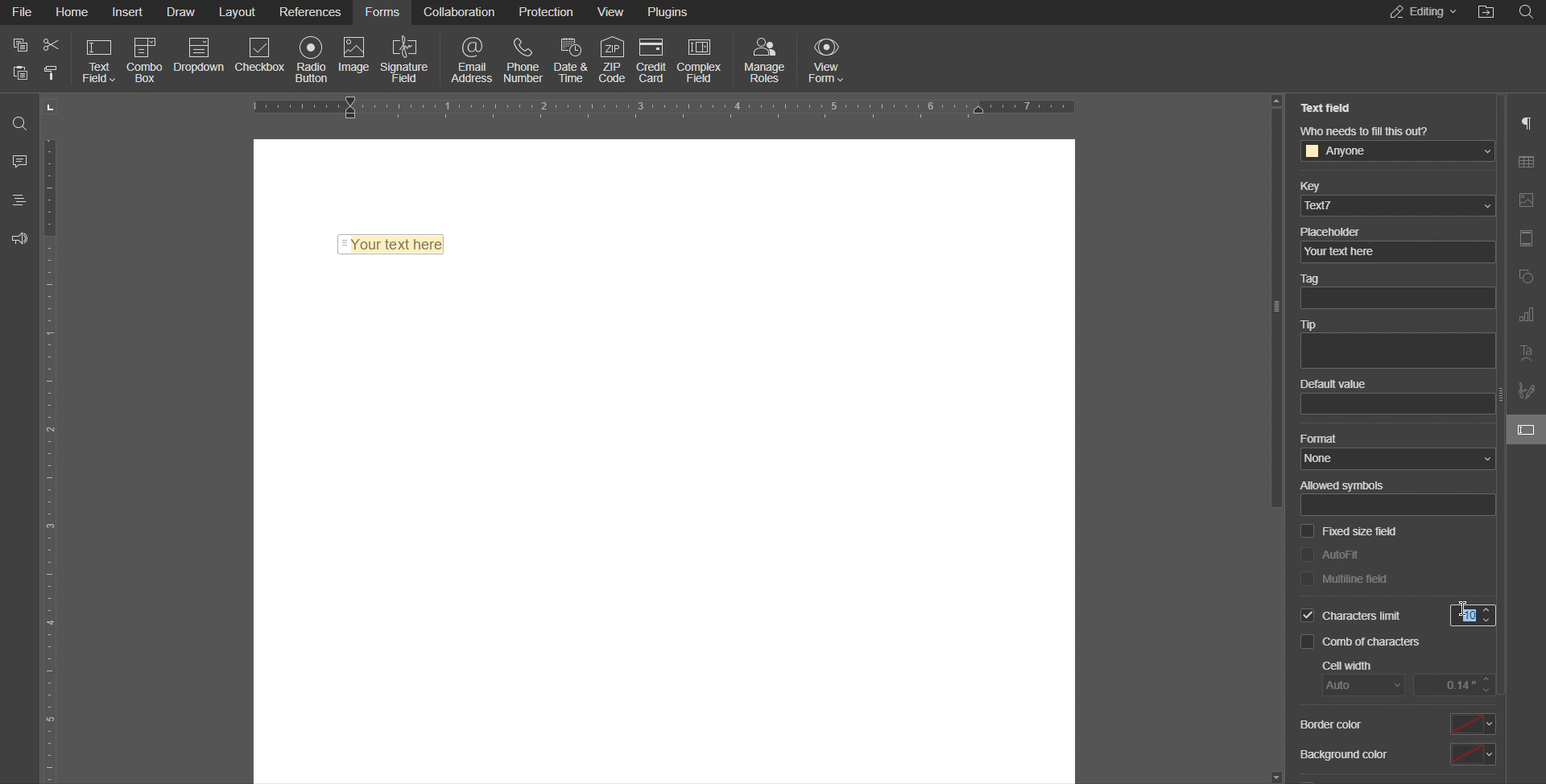 The width and height of the screenshot is (1546, 784). What do you see at coordinates (1525, 316) in the screenshot?
I see `Graph Settings` at bounding box center [1525, 316].